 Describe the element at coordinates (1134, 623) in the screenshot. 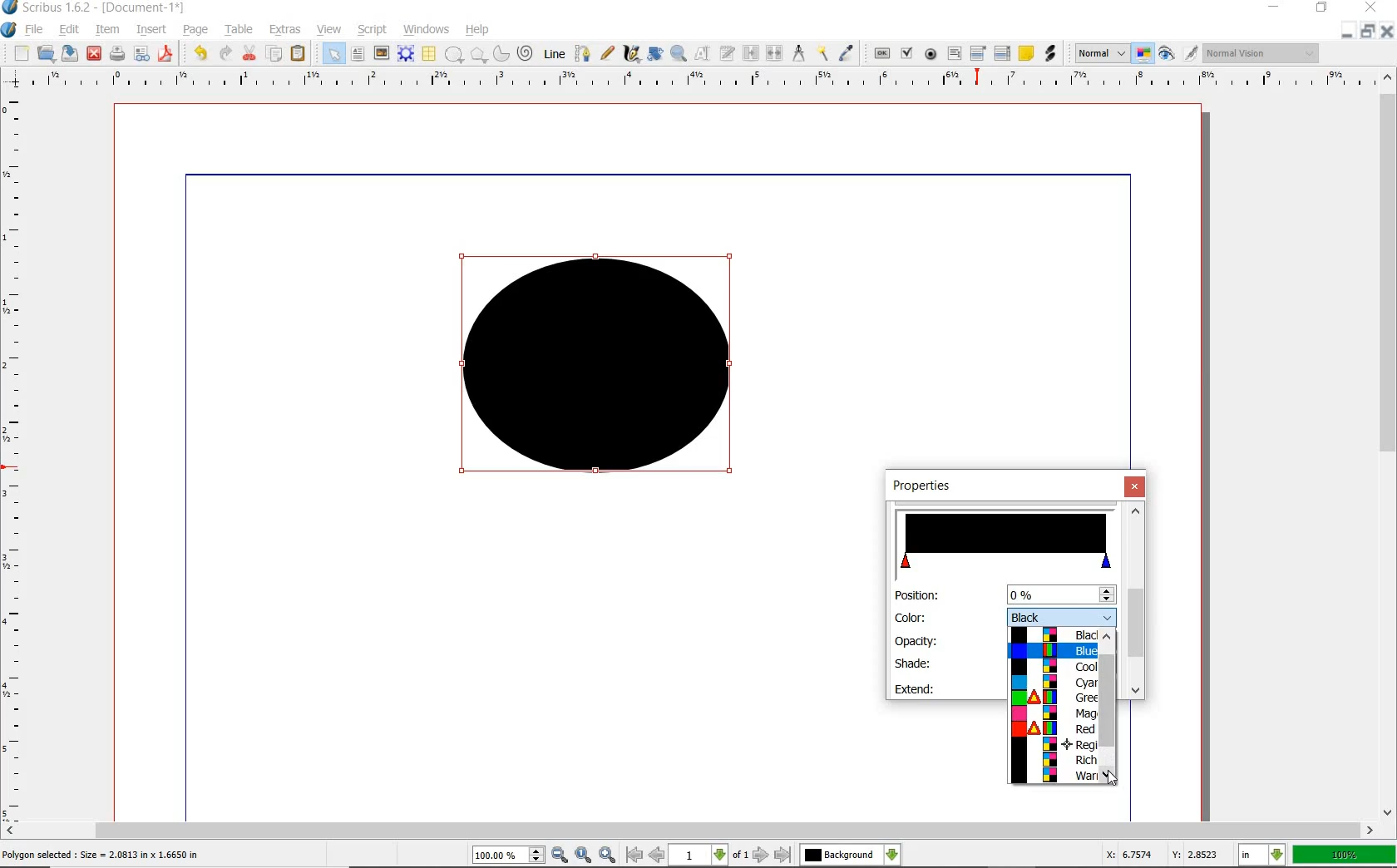

I see `scroll bar` at that location.